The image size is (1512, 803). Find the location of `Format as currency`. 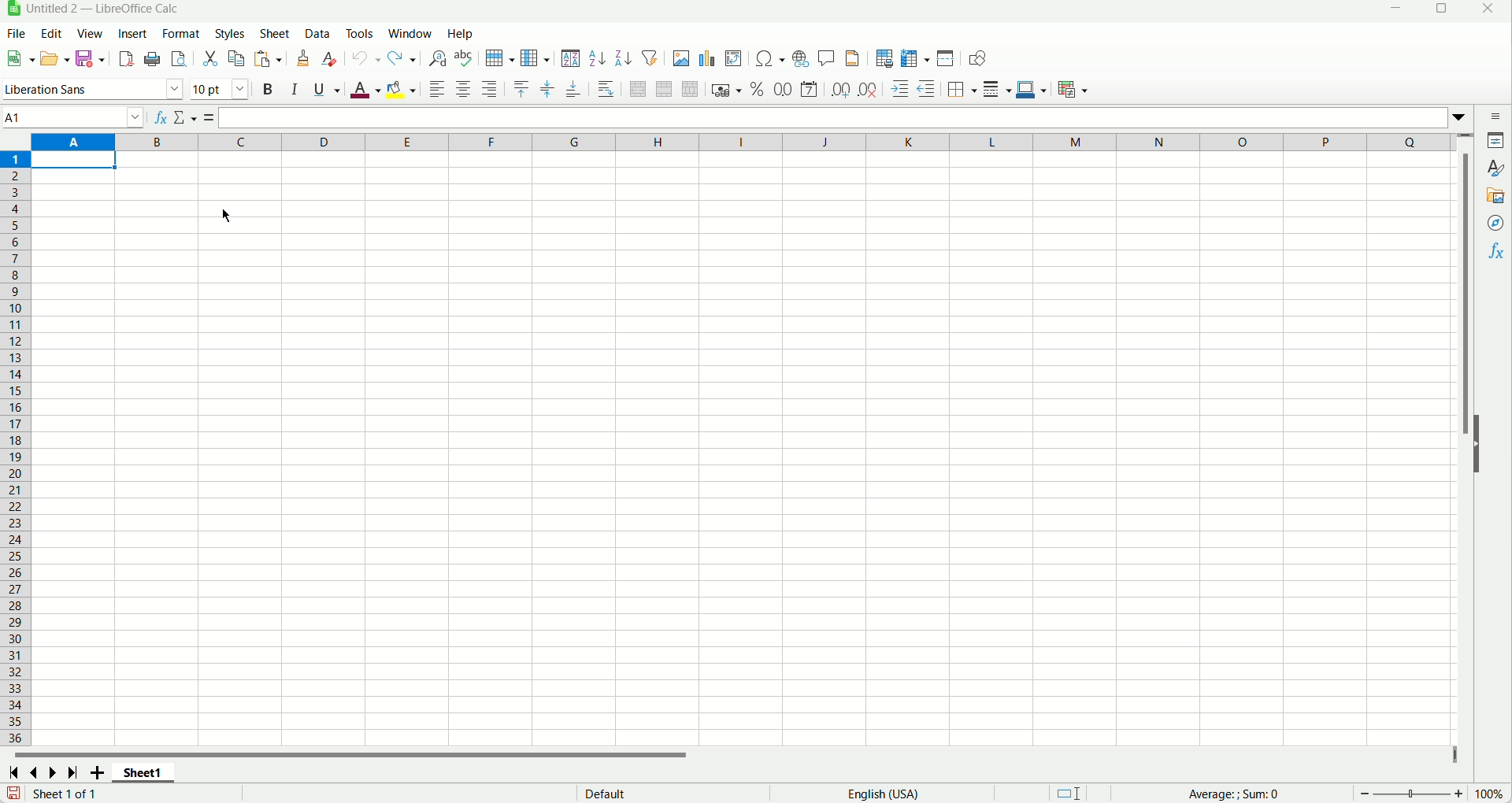

Format as currency is located at coordinates (727, 89).